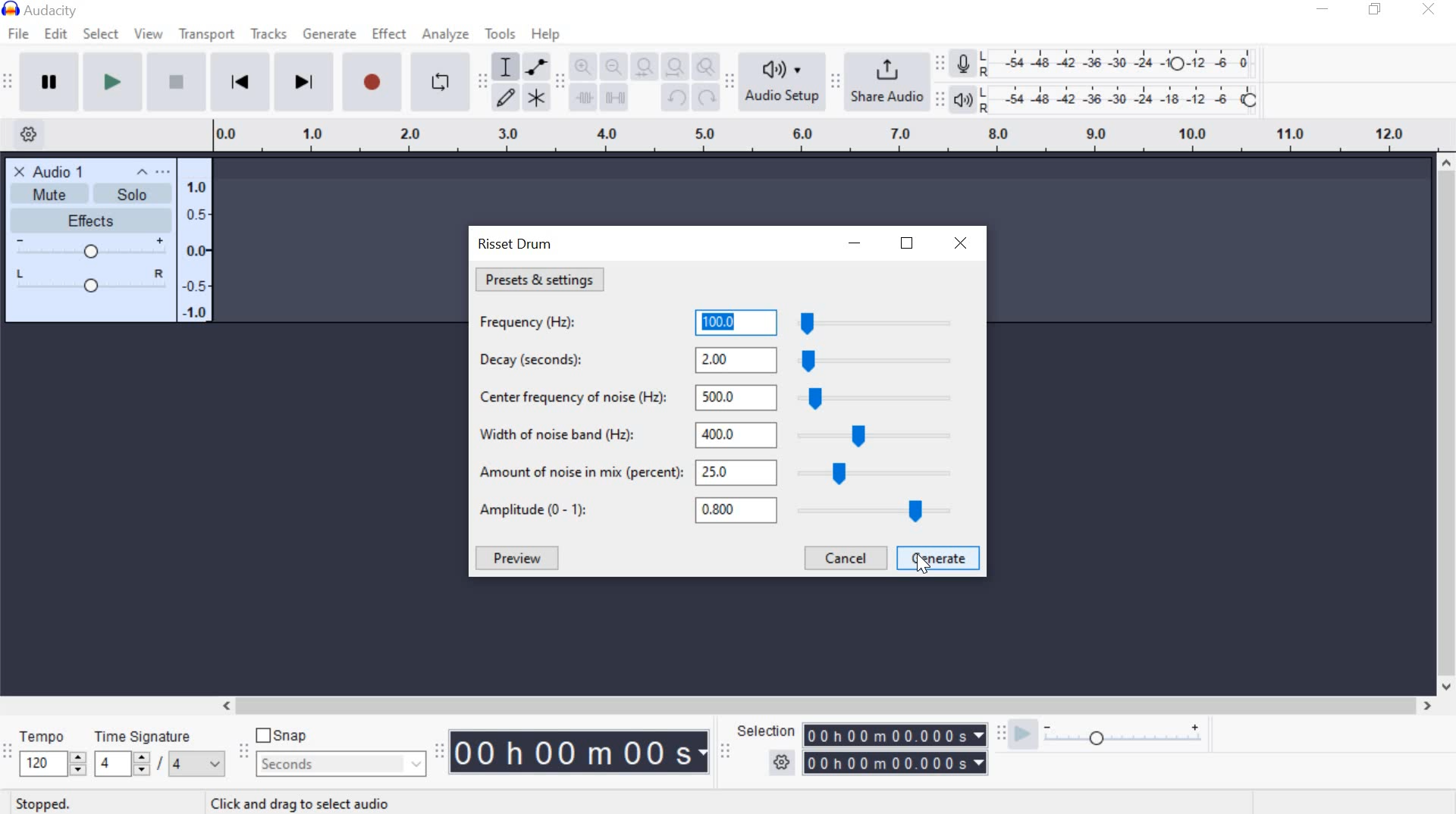  I want to click on help, so click(544, 36).